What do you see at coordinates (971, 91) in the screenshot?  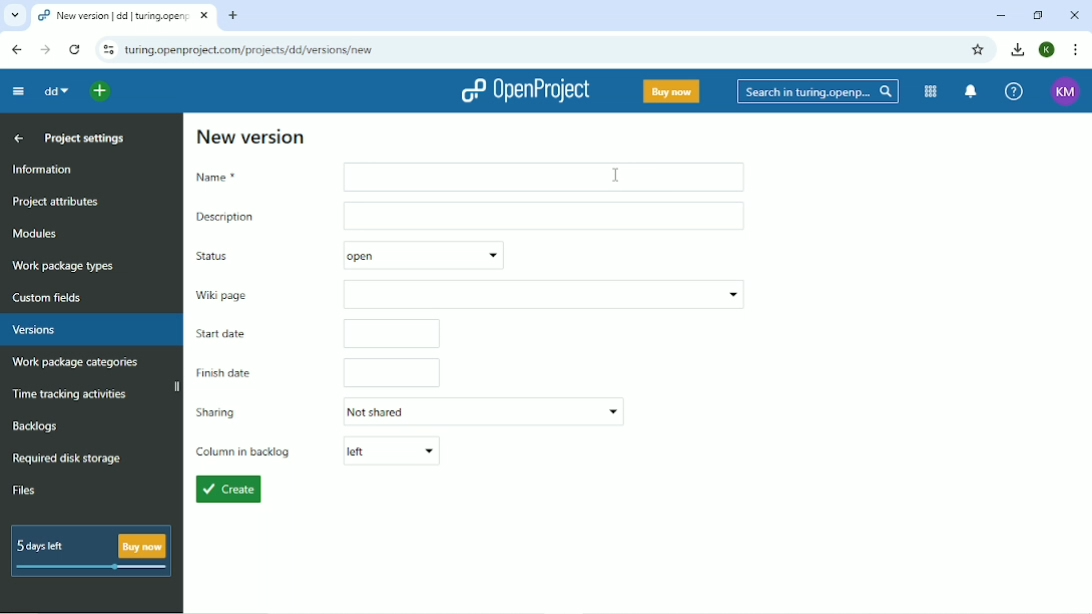 I see `To notification center` at bounding box center [971, 91].